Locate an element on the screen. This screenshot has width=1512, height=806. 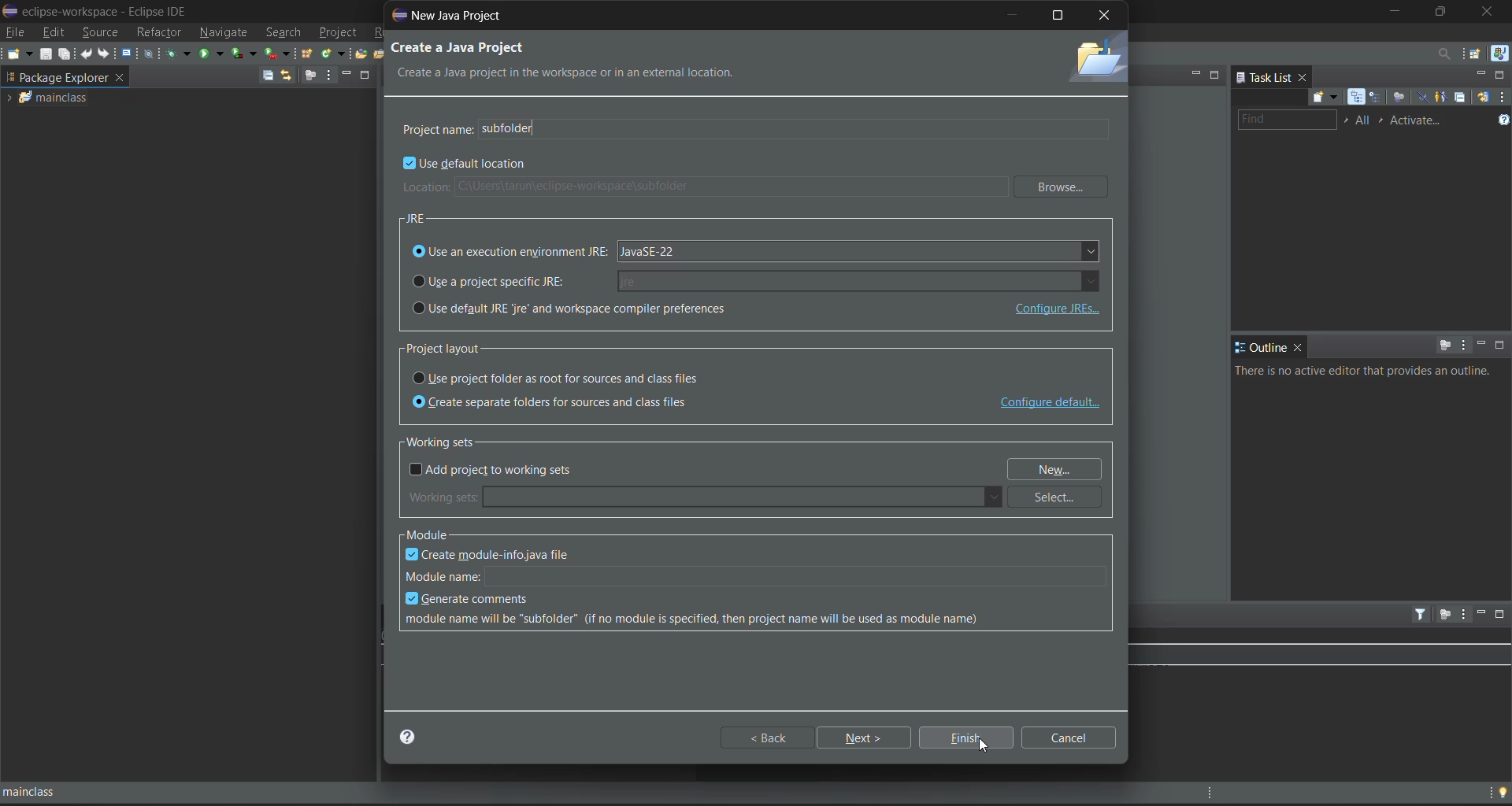
undo is located at coordinates (88, 53).